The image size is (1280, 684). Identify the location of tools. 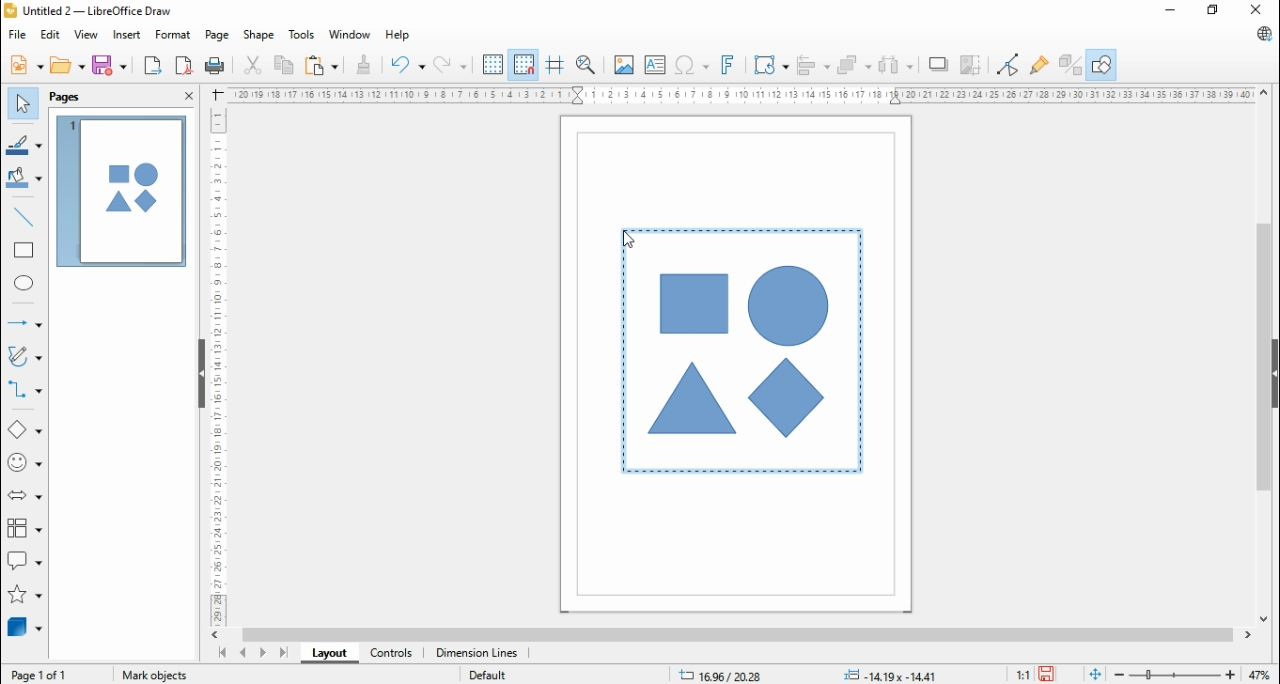
(303, 34).